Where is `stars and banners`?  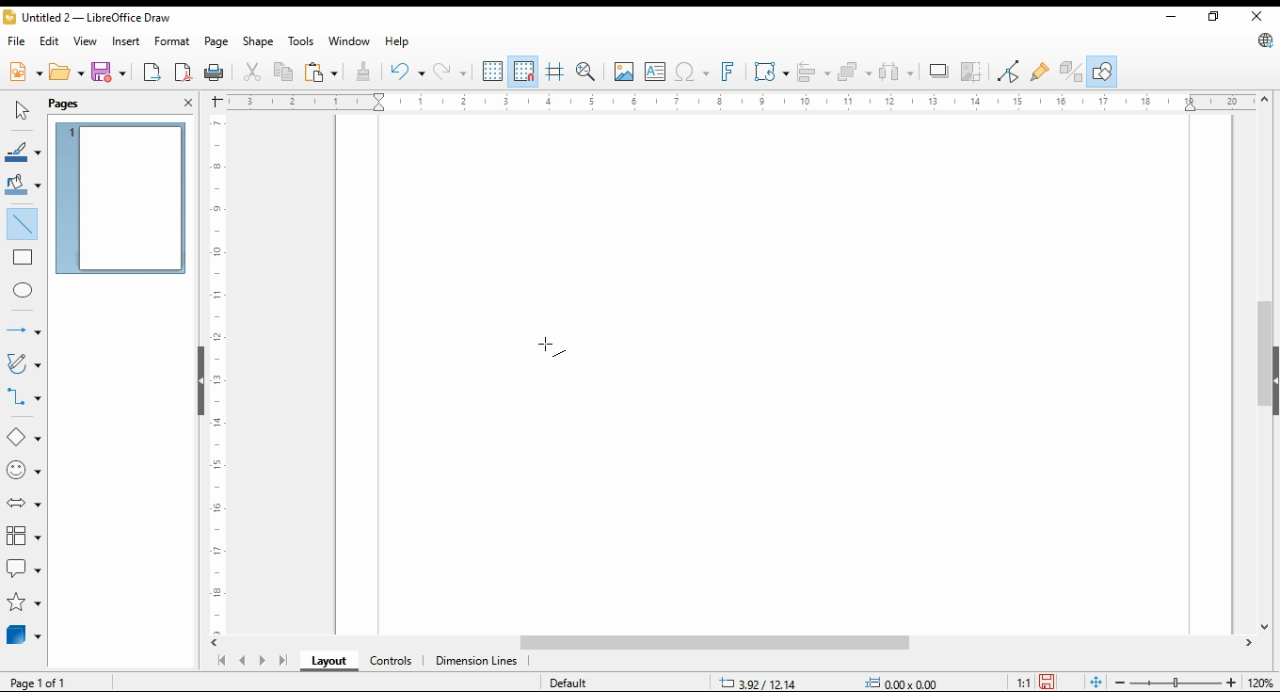 stars and banners is located at coordinates (24, 602).